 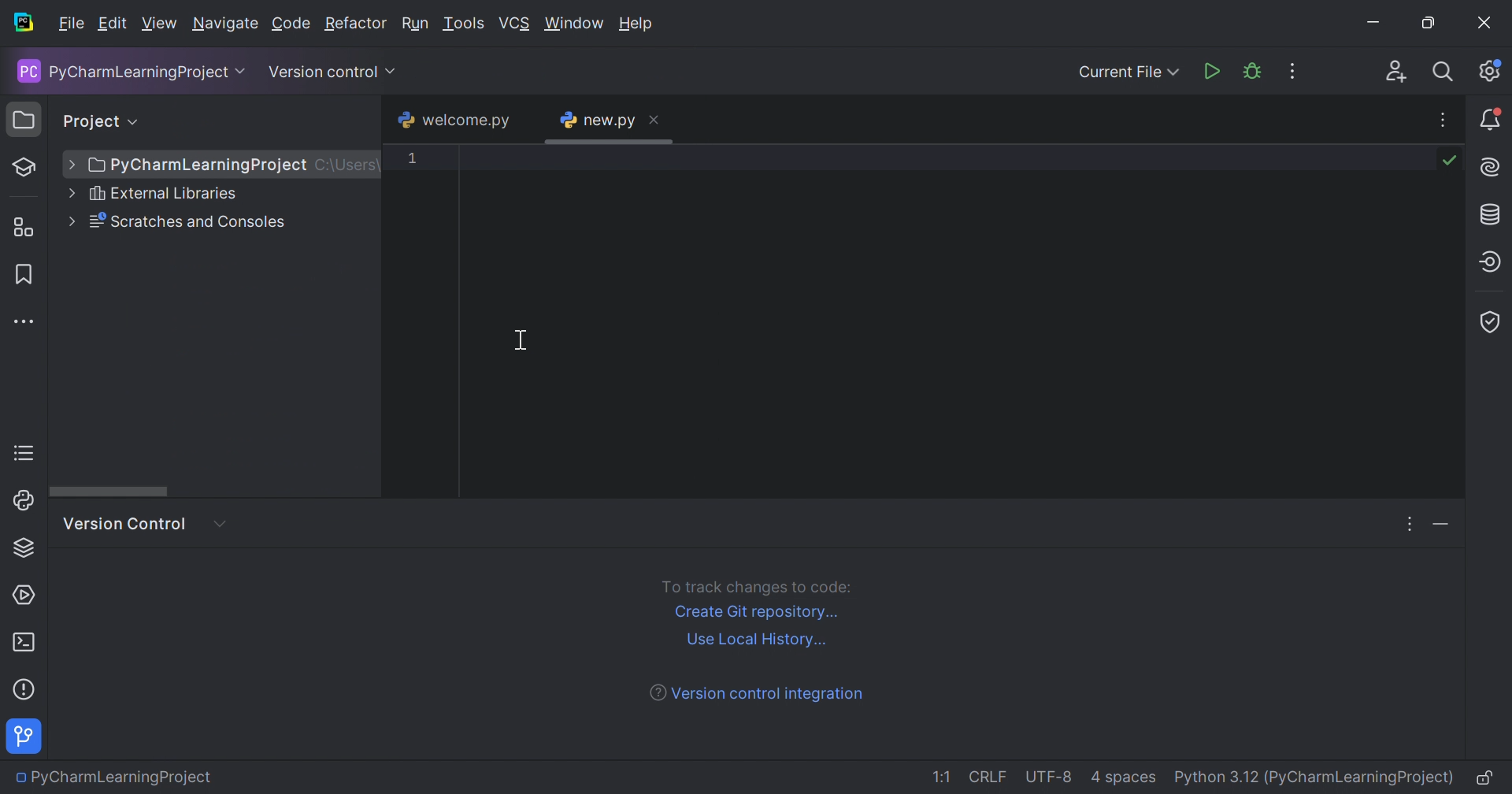 I want to click on To track changes to code:, so click(x=759, y=584).